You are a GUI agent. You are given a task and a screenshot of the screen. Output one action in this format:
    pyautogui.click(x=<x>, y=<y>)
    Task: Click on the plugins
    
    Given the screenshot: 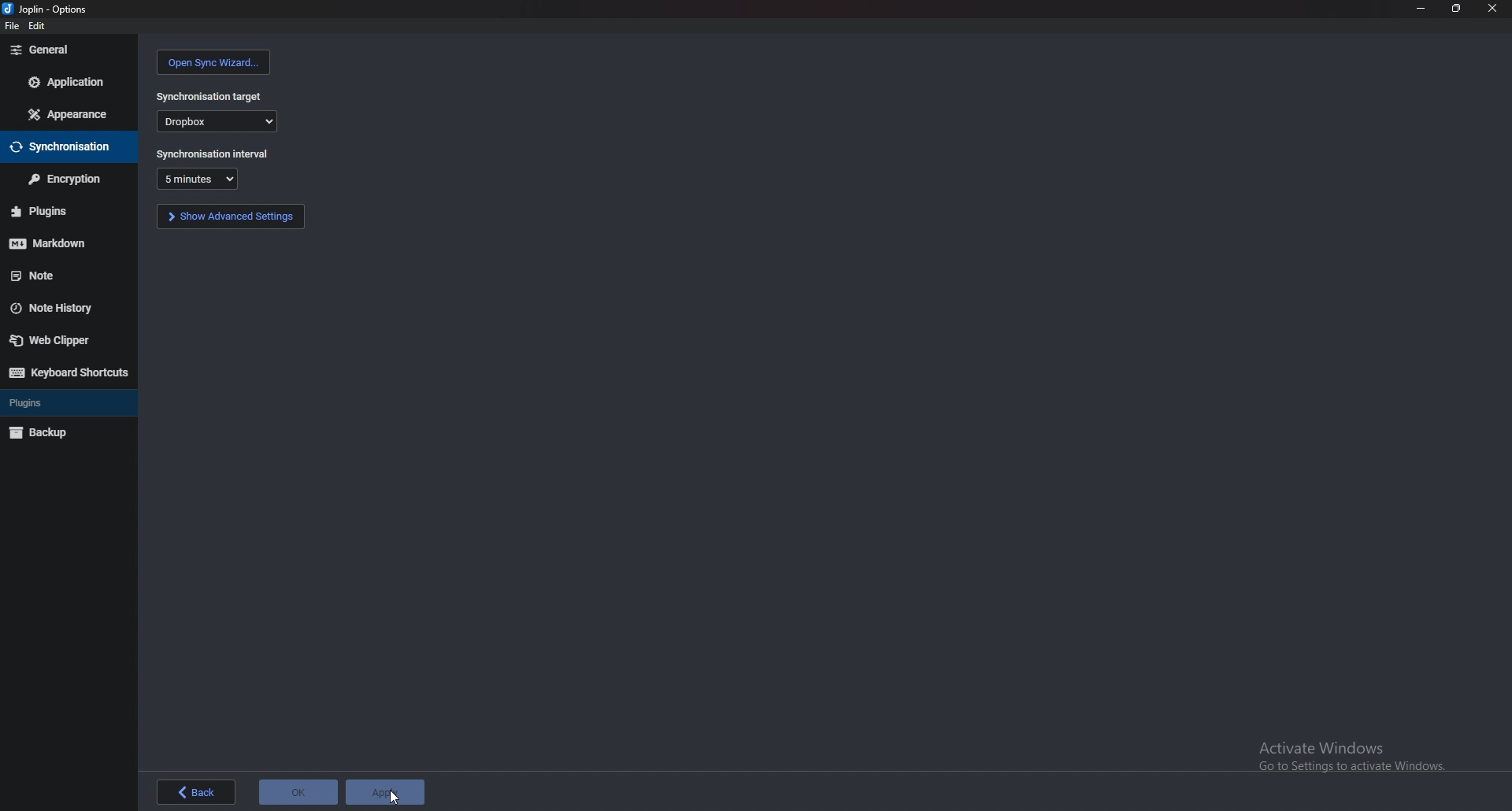 What is the action you would take?
    pyautogui.click(x=40, y=404)
    